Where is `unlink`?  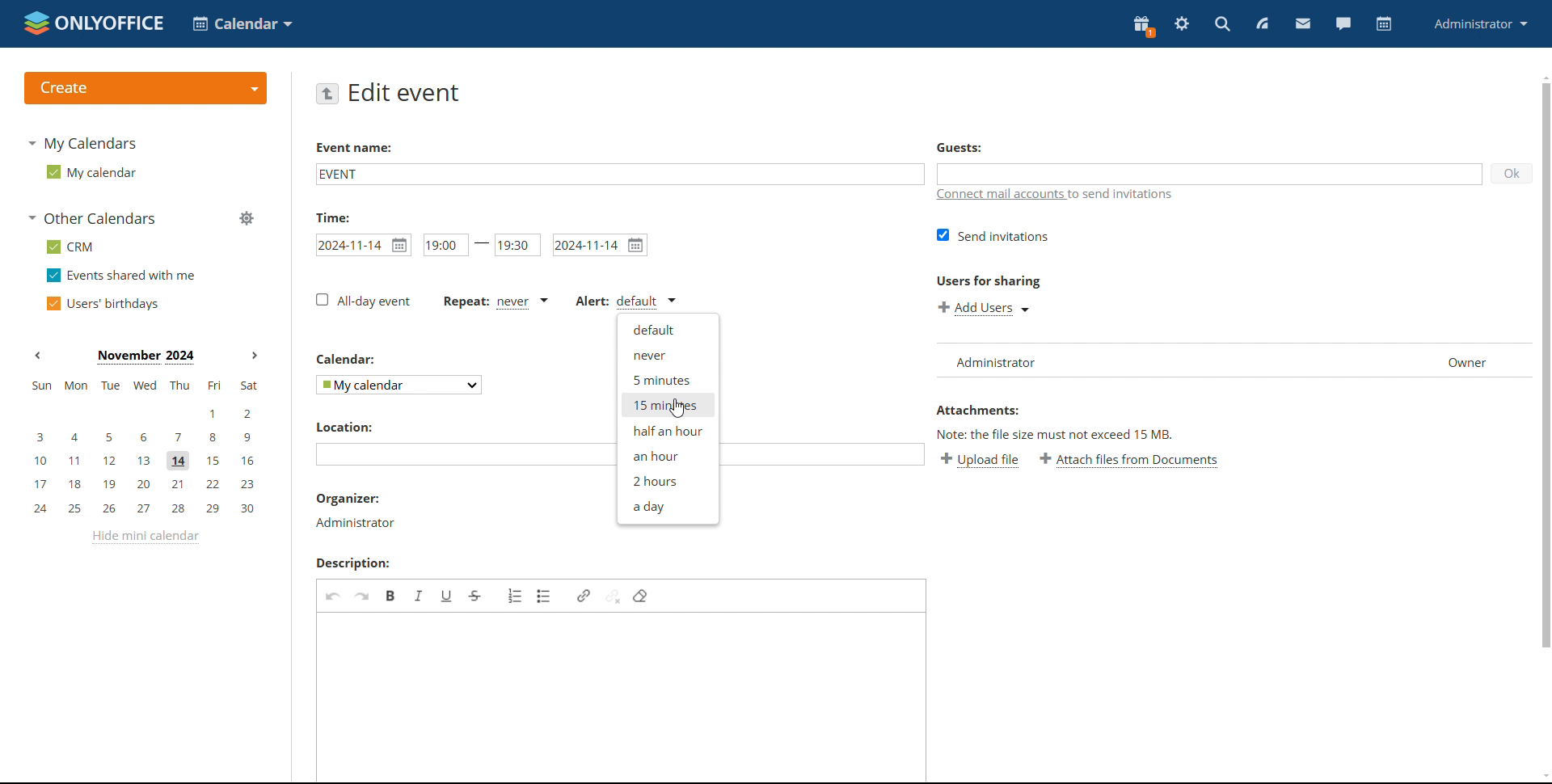
unlink is located at coordinates (612, 596).